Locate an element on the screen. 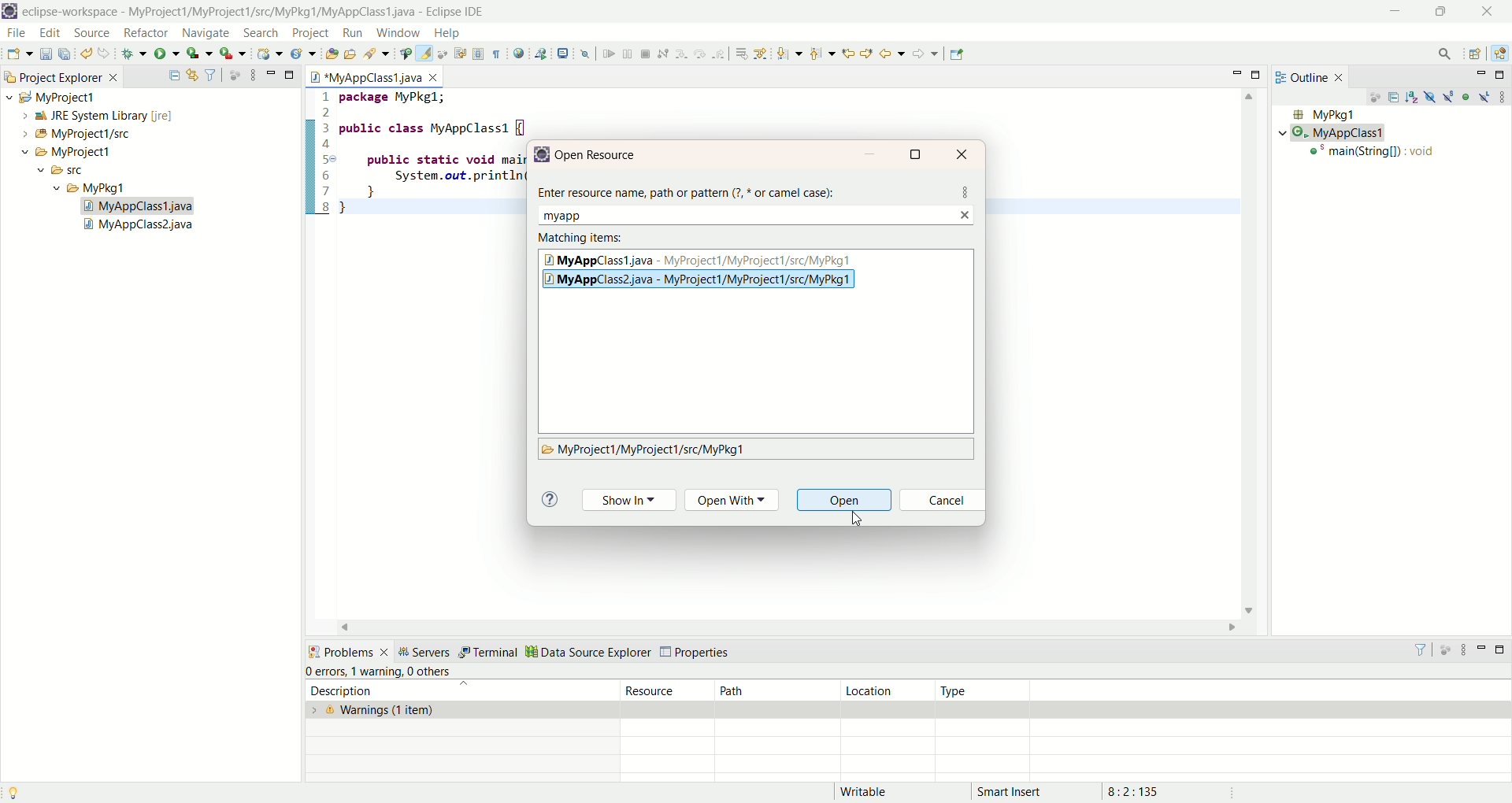 This screenshot has width=1512, height=803. my project1 is located at coordinates (49, 97).